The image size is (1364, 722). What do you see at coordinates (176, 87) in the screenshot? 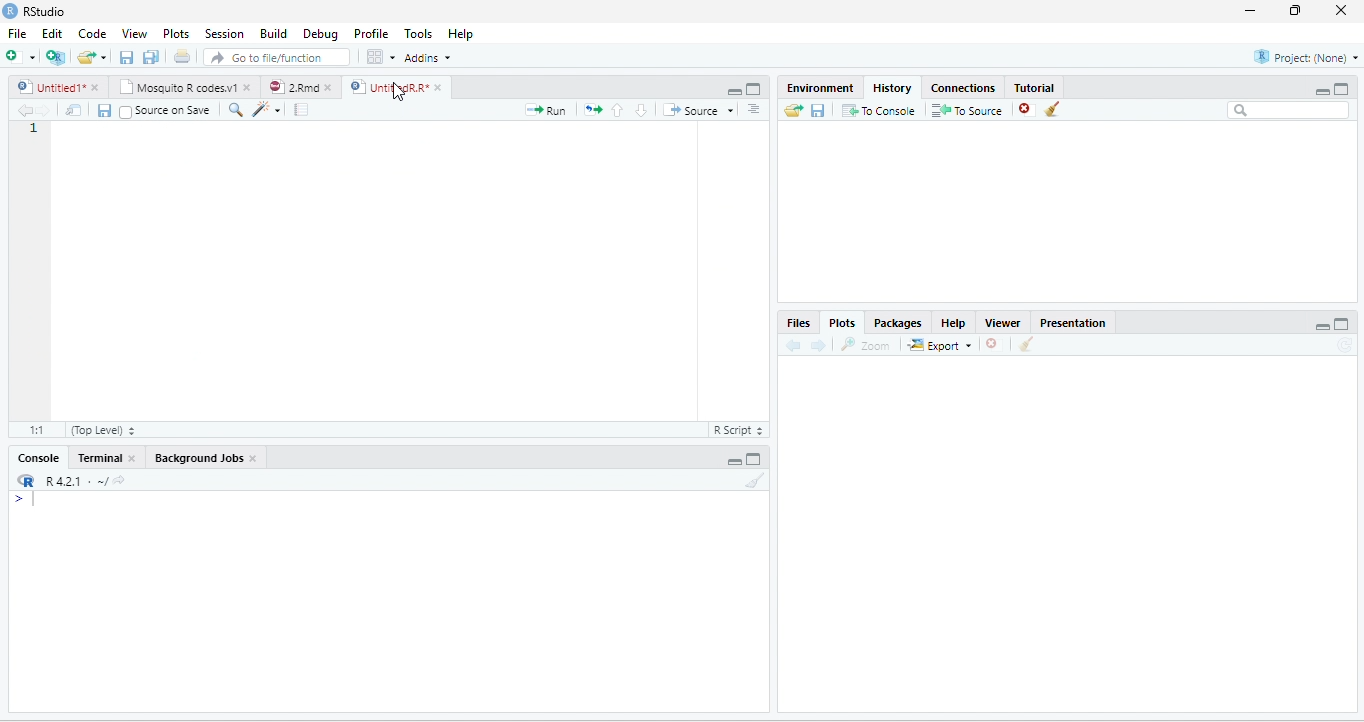
I see `Mosquito R codes.v1` at bounding box center [176, 87].